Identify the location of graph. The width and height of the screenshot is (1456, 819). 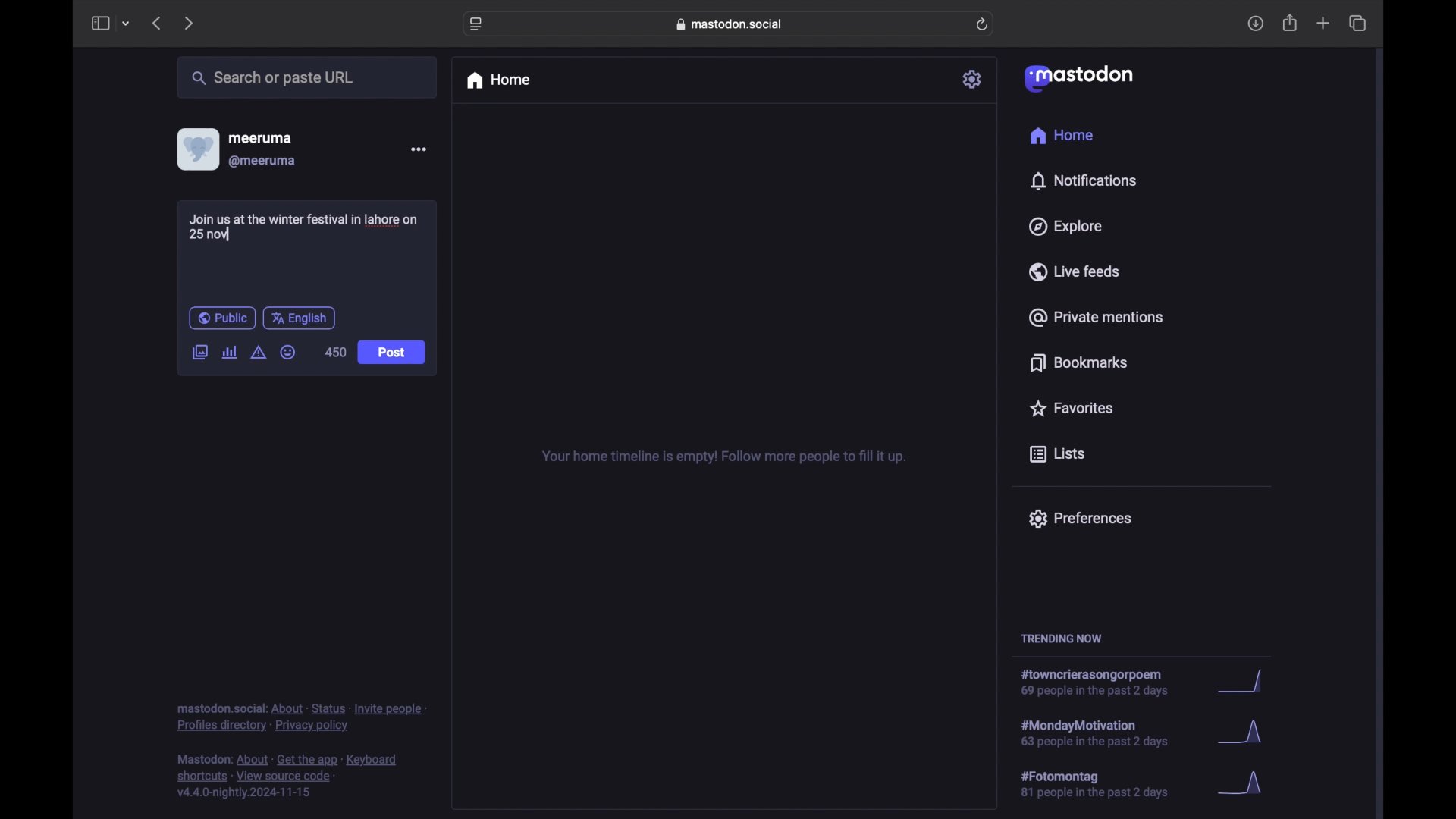
(1244, 736).